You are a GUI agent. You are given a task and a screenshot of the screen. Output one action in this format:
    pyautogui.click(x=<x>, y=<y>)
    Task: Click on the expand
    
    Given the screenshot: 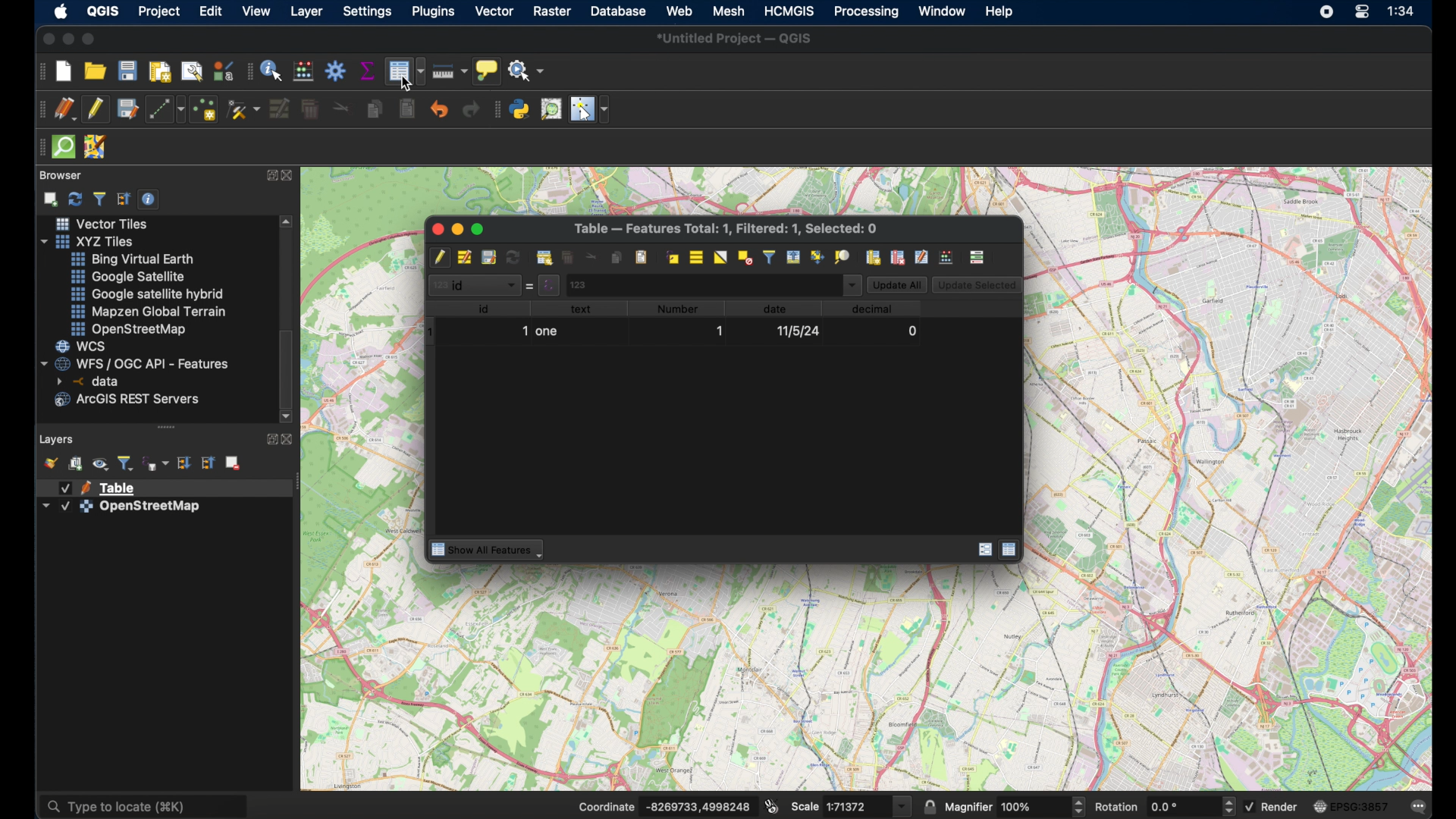 What is the action you would take?
    pyautogui.click(x=269, y=176)
    